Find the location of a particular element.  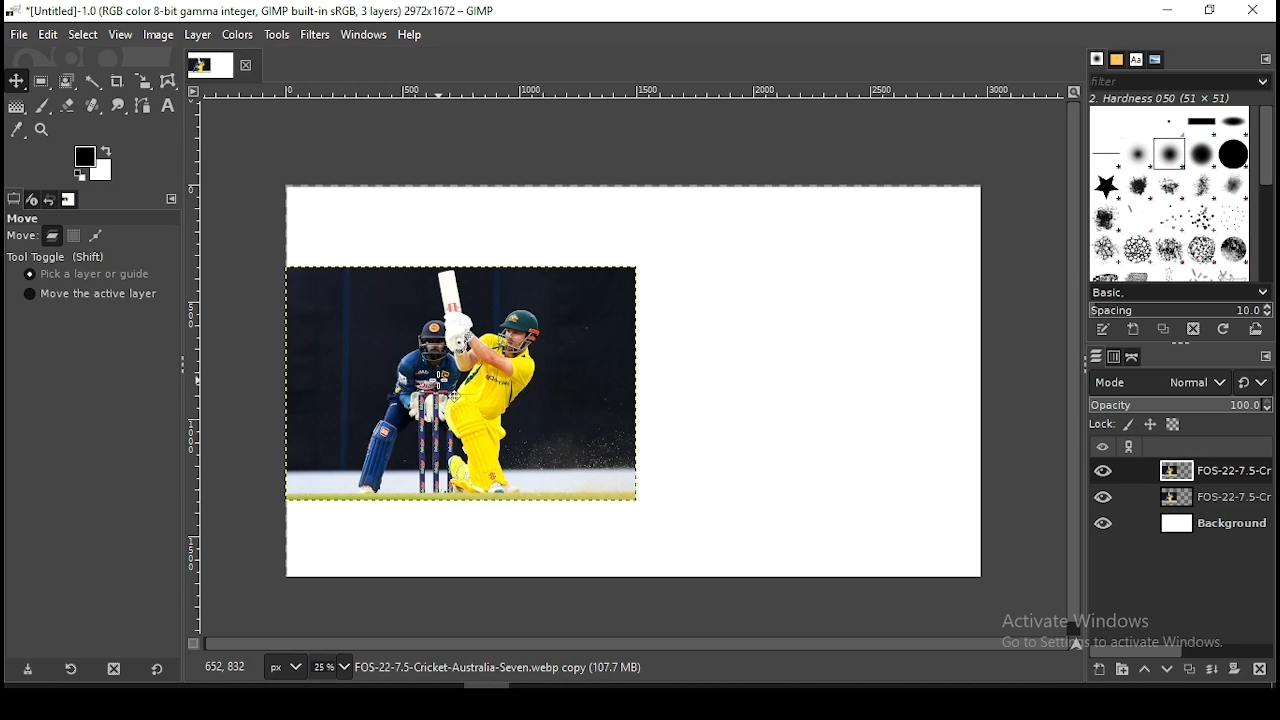

undo history is located at coordinates (49, 200).